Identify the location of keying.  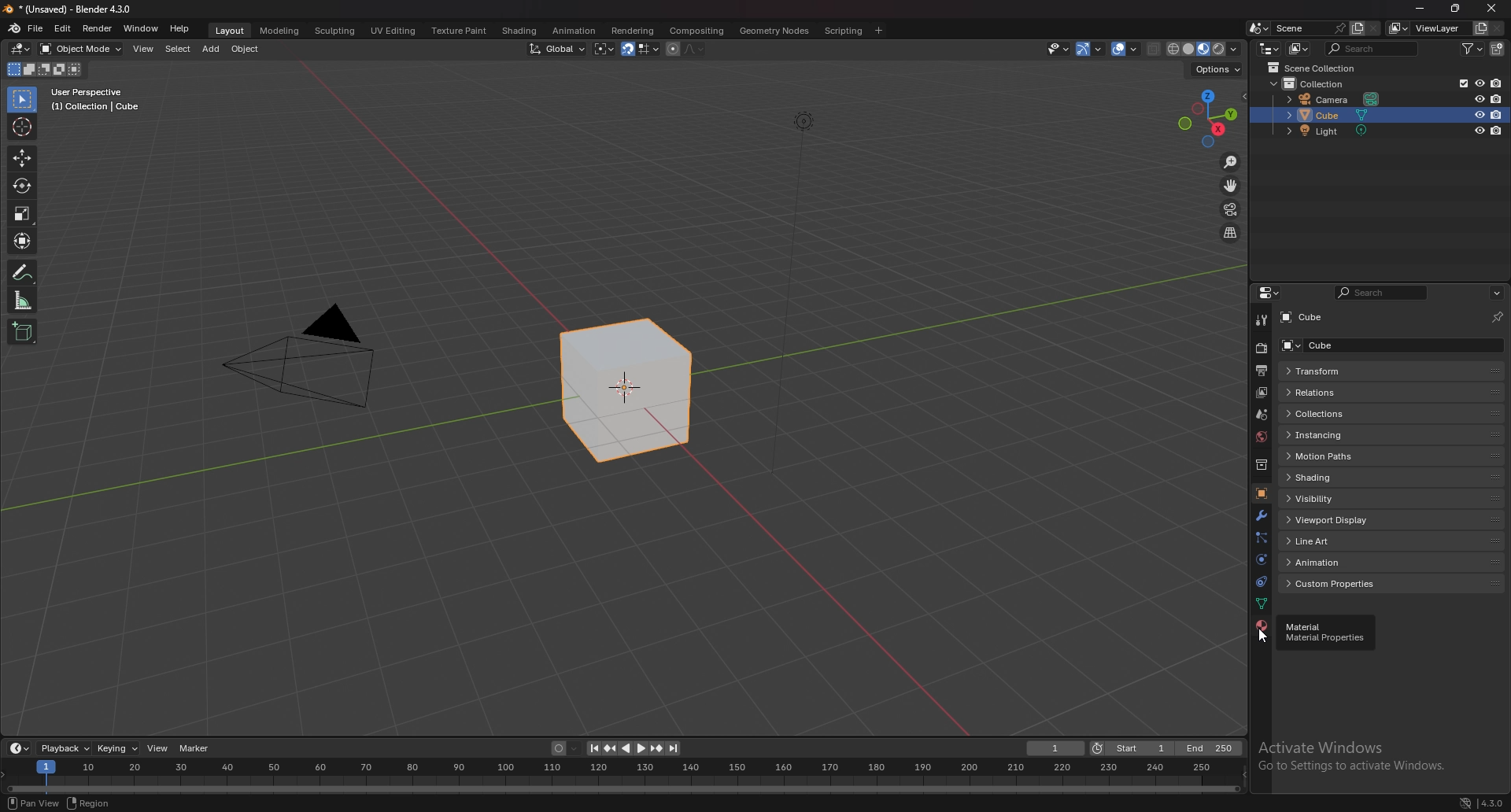
(118, 747).